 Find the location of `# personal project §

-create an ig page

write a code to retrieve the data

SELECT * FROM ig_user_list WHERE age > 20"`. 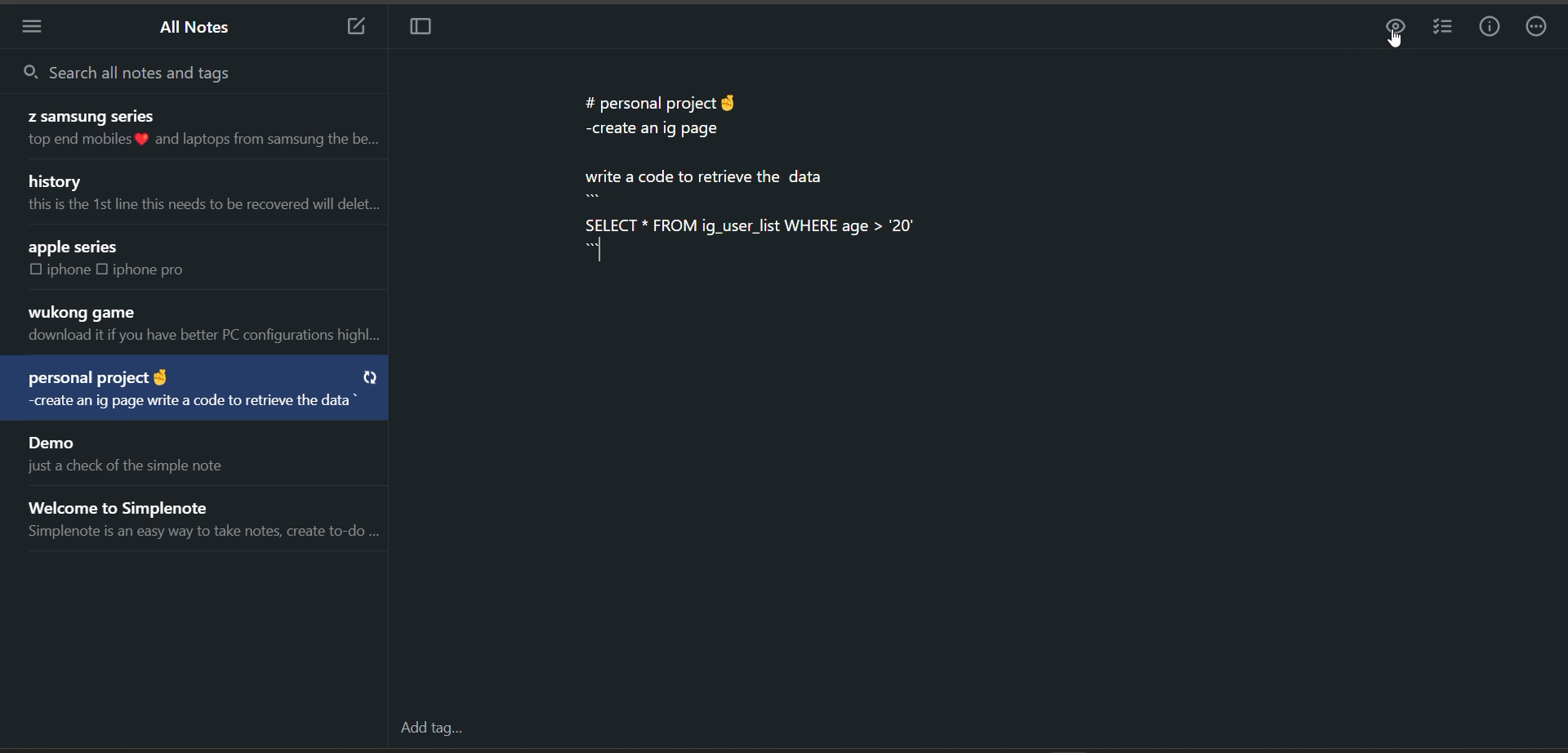

# personal project §

-create an ig page

write a code to retrieve the data

SELECT * FROM ig_user_list WHERE age > 20" is located at coordinates (744, 176).